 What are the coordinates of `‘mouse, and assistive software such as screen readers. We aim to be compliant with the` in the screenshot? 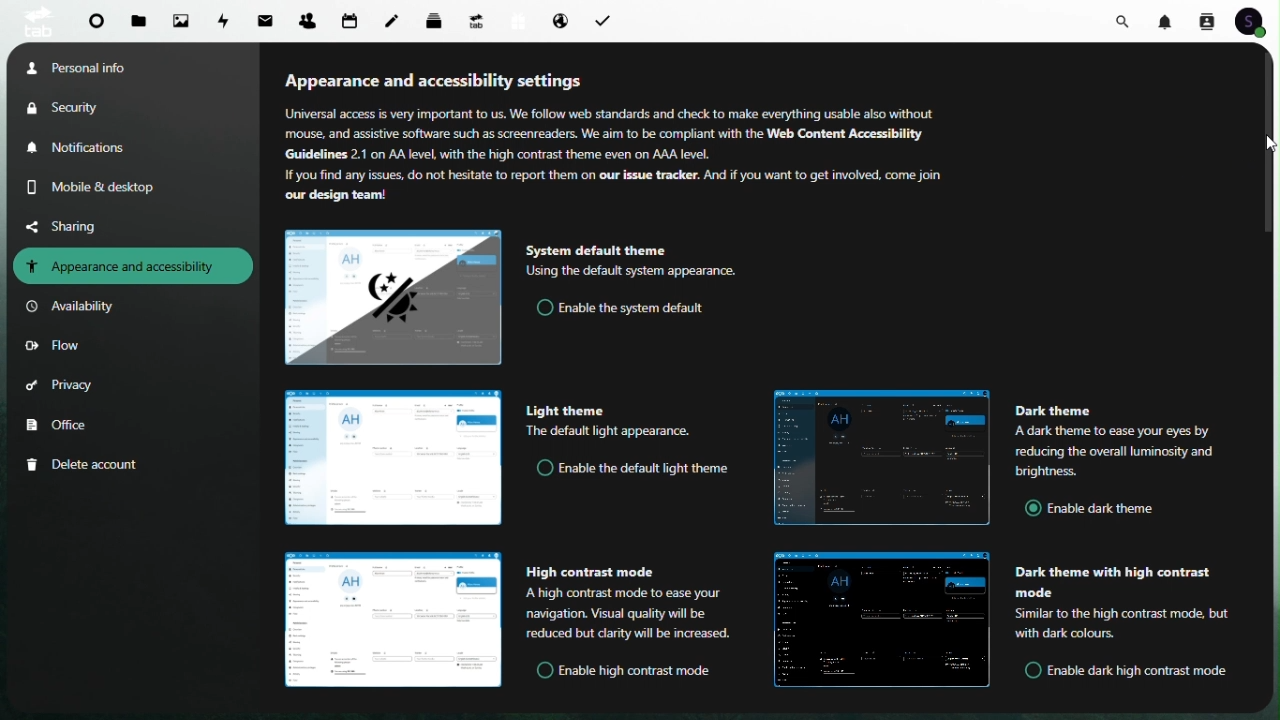 It's located at (521, 135).